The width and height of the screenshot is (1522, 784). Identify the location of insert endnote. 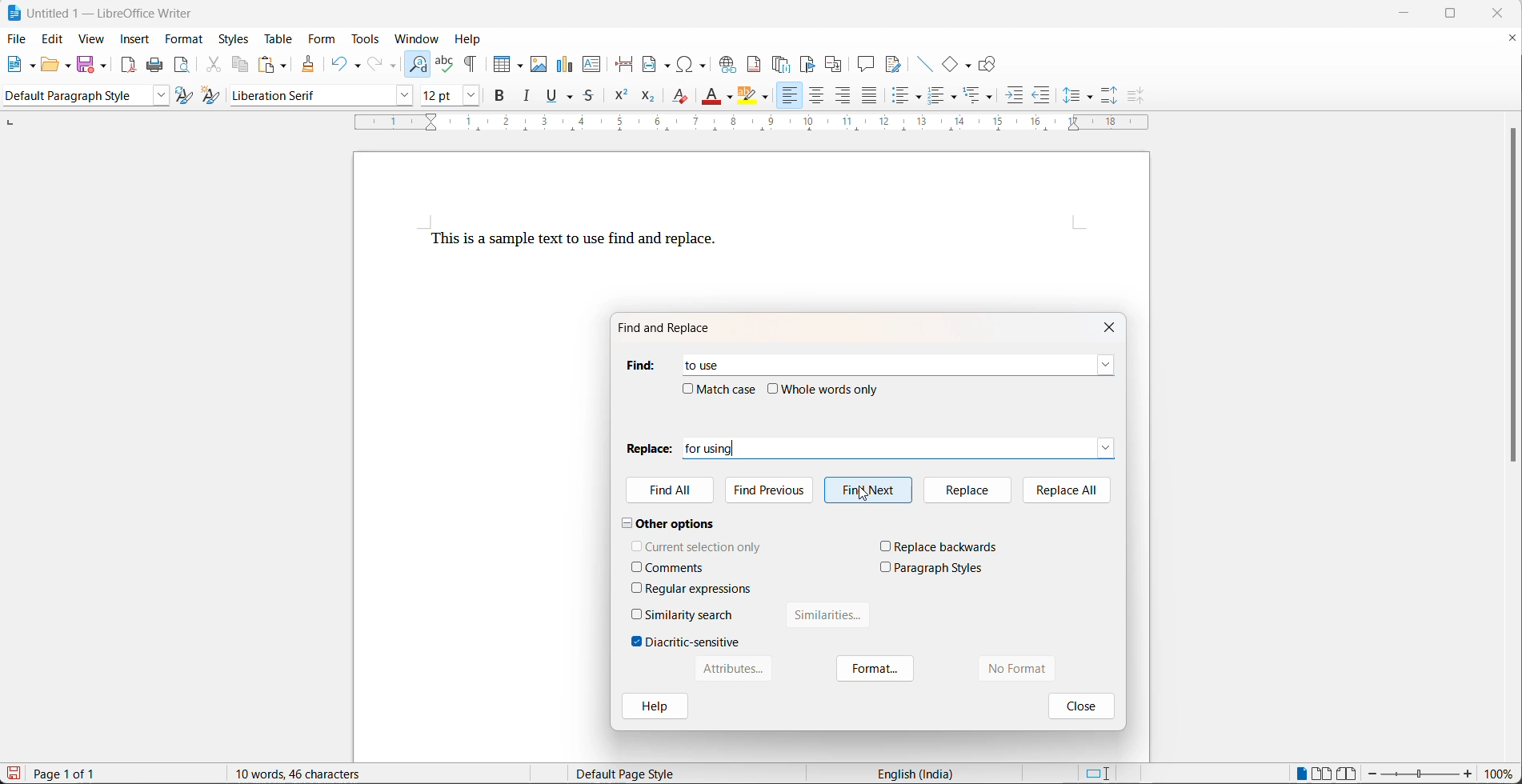
(783, 64).